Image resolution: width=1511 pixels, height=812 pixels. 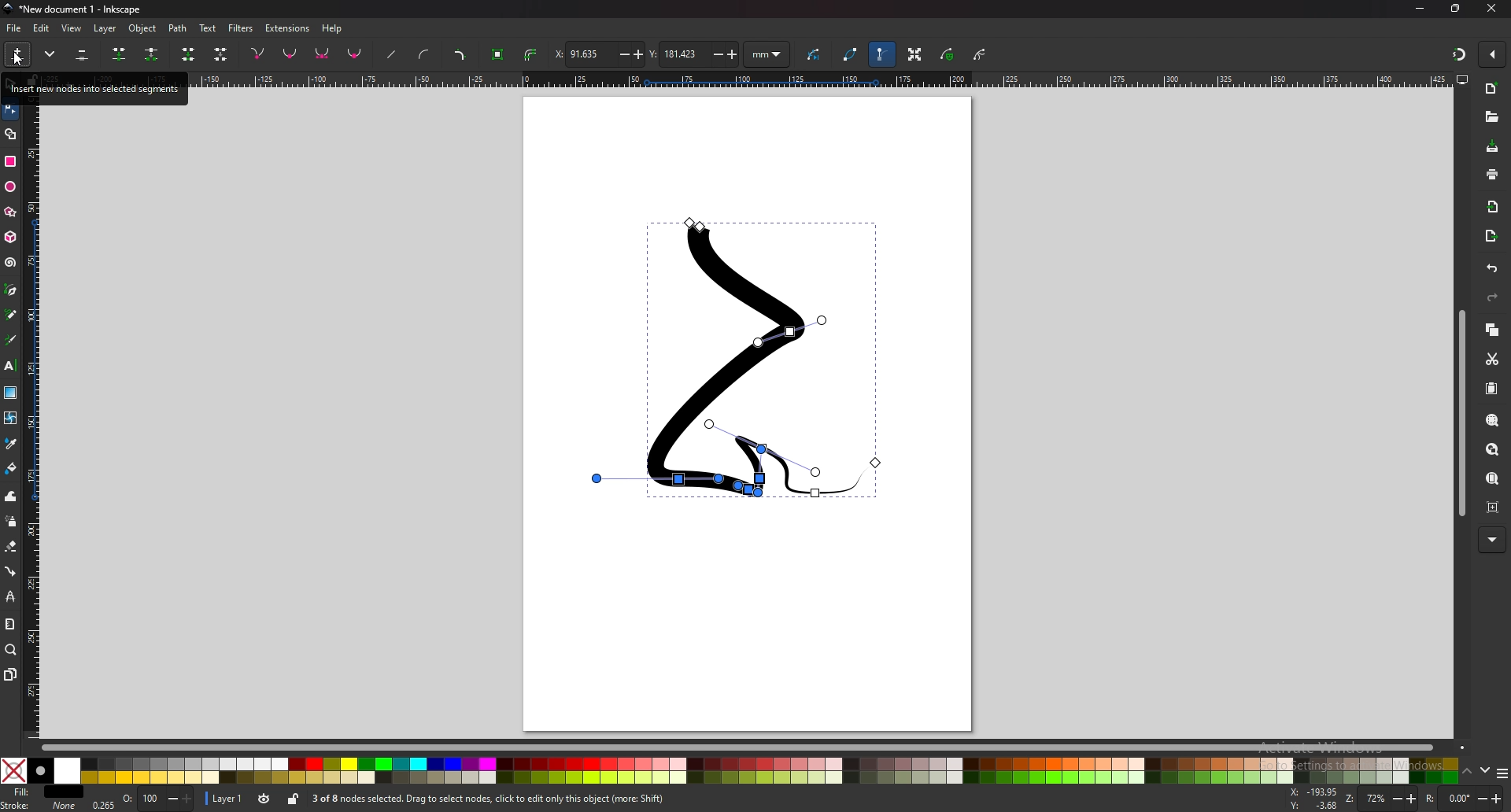 I want to click on info, so click(x=545, y=799).